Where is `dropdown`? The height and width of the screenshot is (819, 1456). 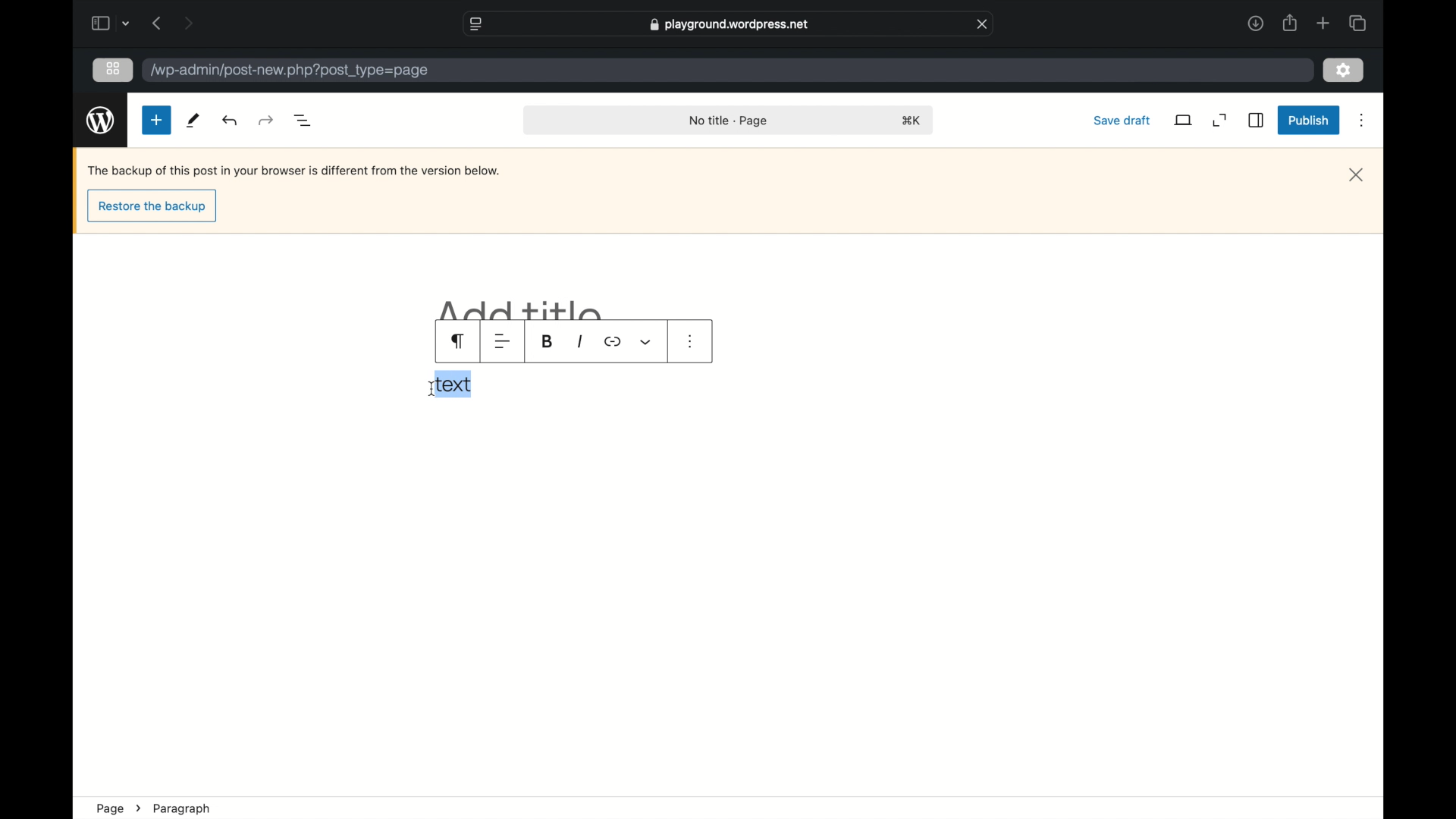 dropdown is located at coordinates (127, 24).